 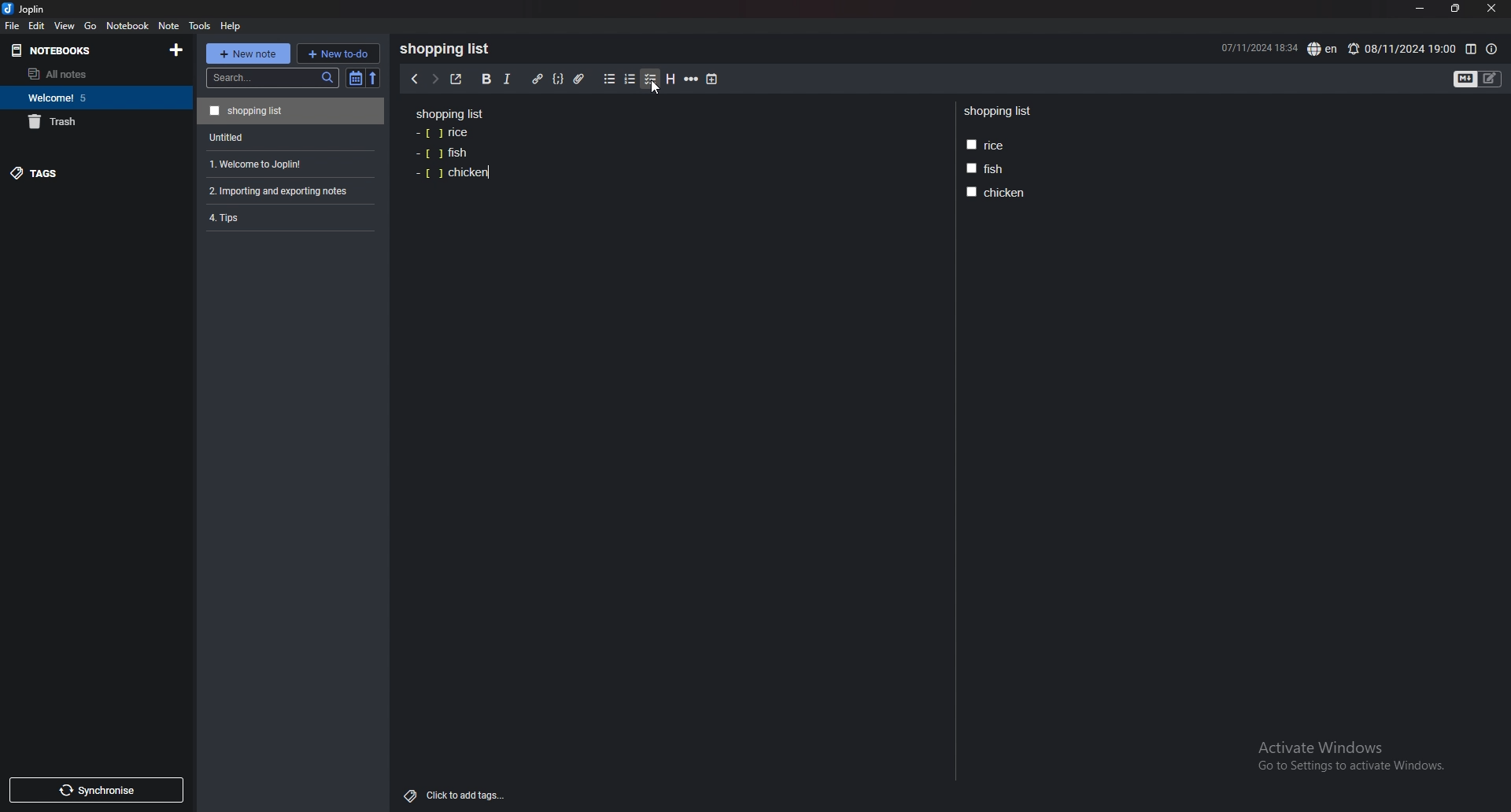 I want to click on add tags, so click(x=456, y=796).